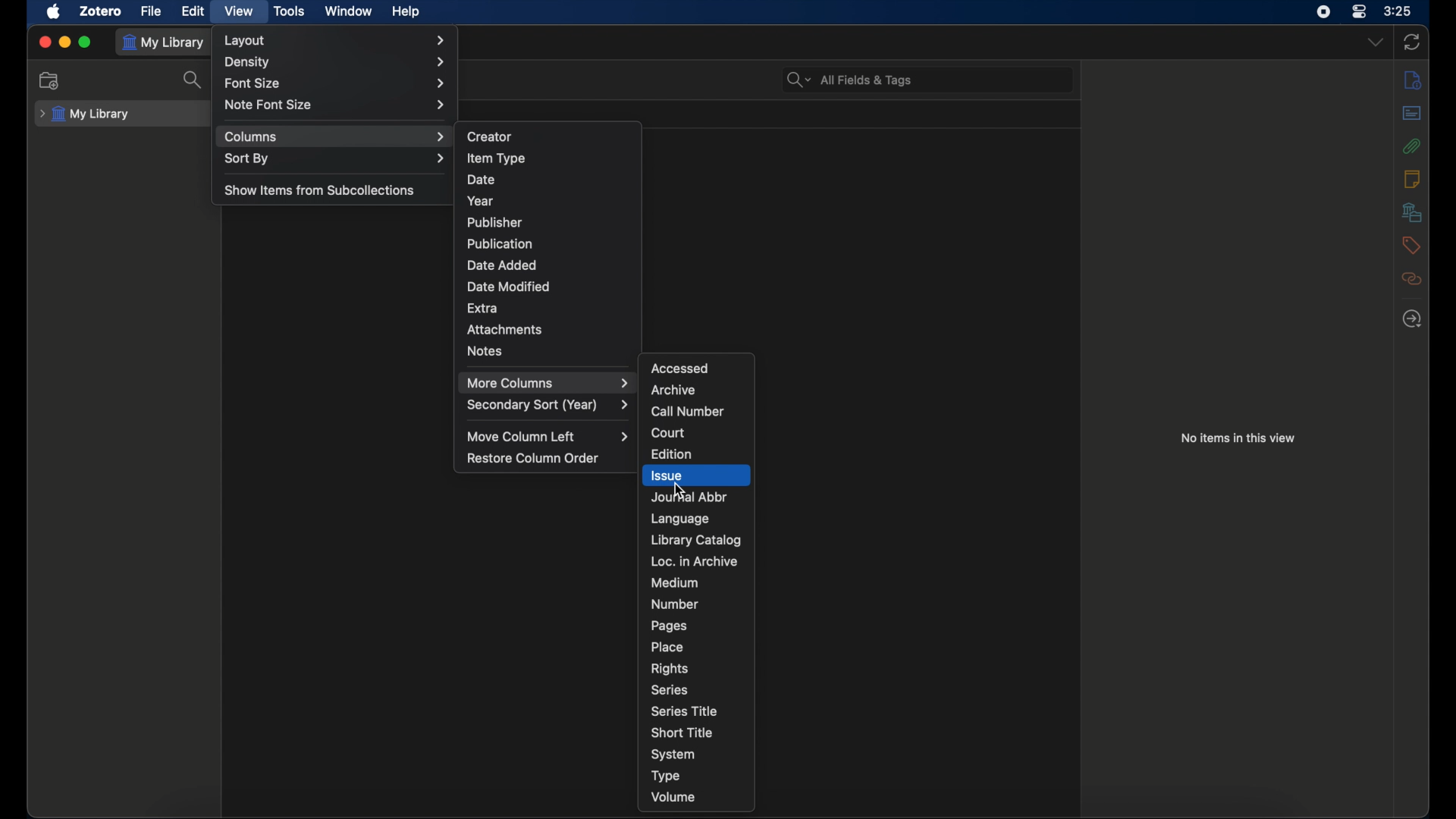 Image resolution: width=1456 pixels, height=819 pixels. Describe the element at coordinates (682, 733) in the screenshot. I see `short title` at that location.